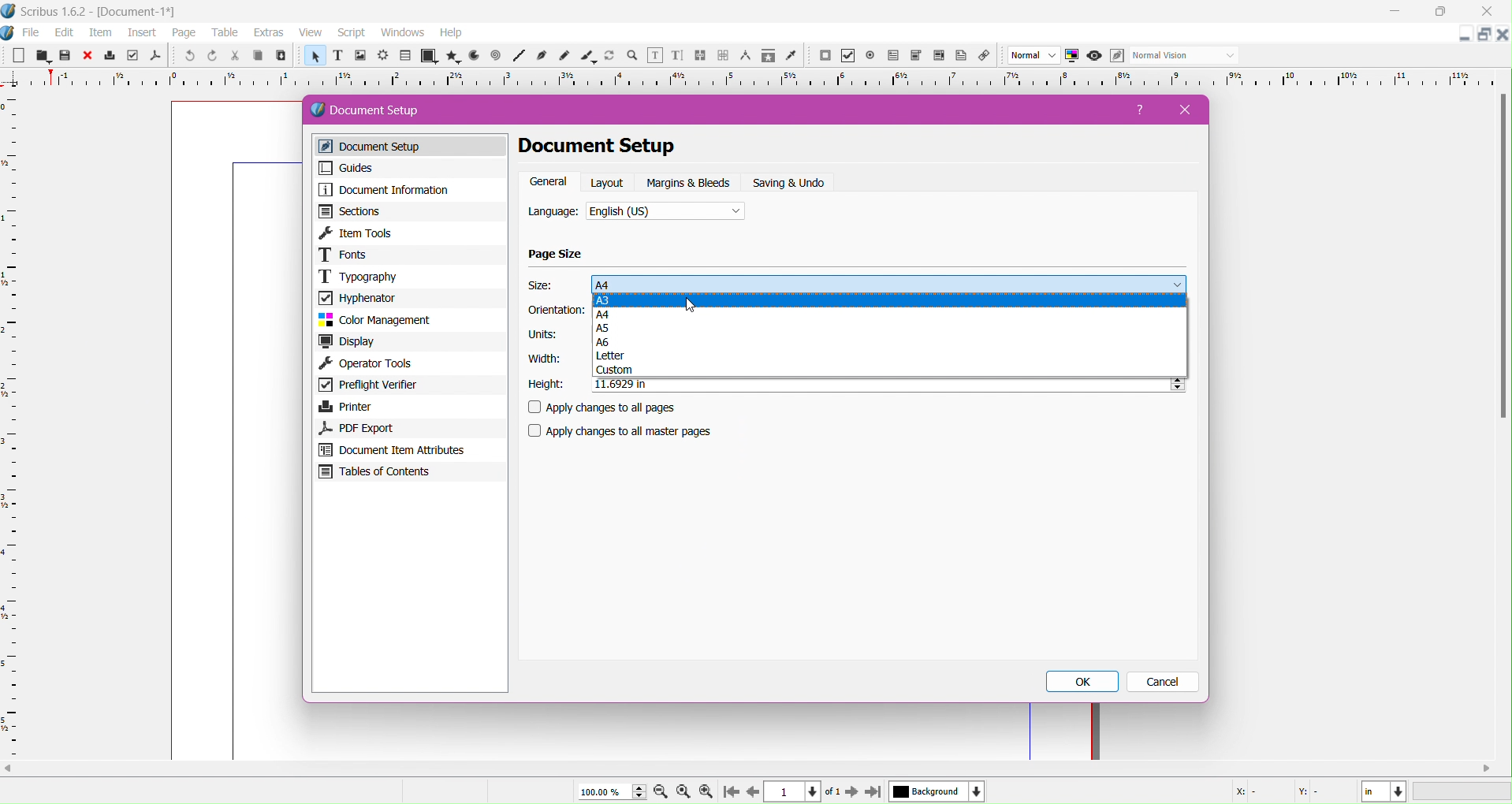  What do you see at coordinates (630, 431) in the screenshot?
I see `Apply changes to all master pages` at bounding box center [630, 431].